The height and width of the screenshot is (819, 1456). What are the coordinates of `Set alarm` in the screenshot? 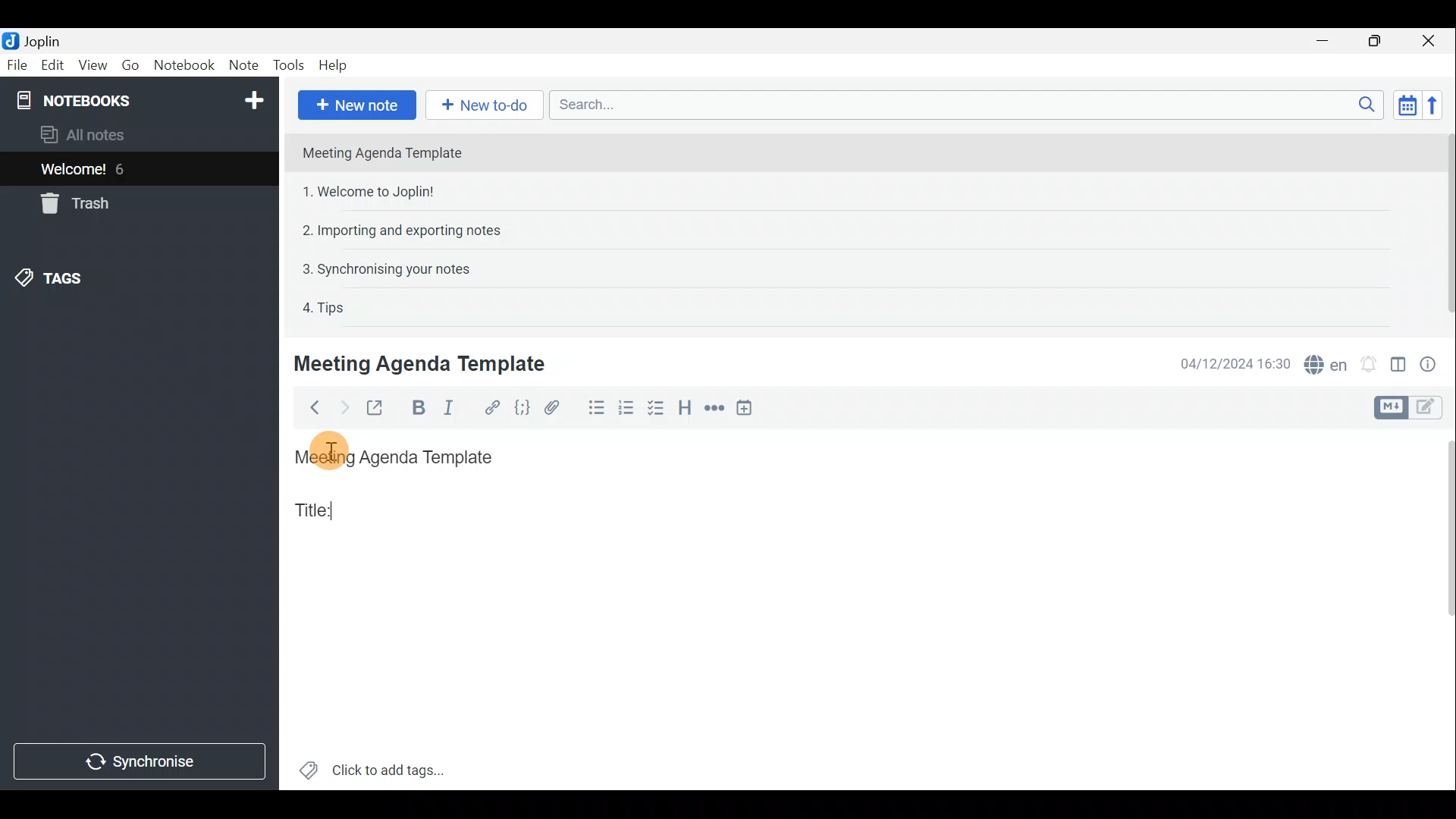 It's located at (1370, 364).